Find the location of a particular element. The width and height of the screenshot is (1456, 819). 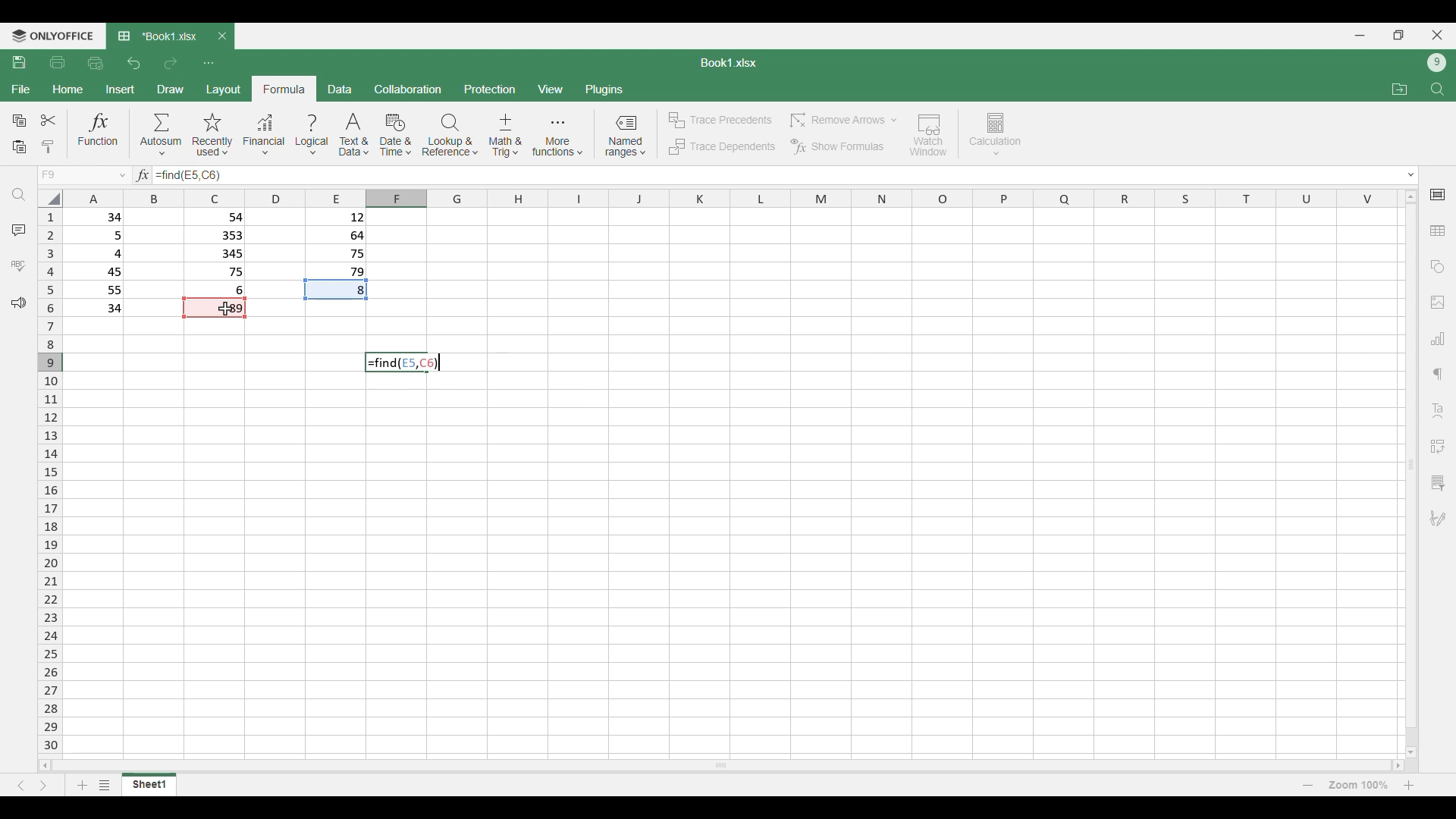

Previous is located at coordinates (20, 786).